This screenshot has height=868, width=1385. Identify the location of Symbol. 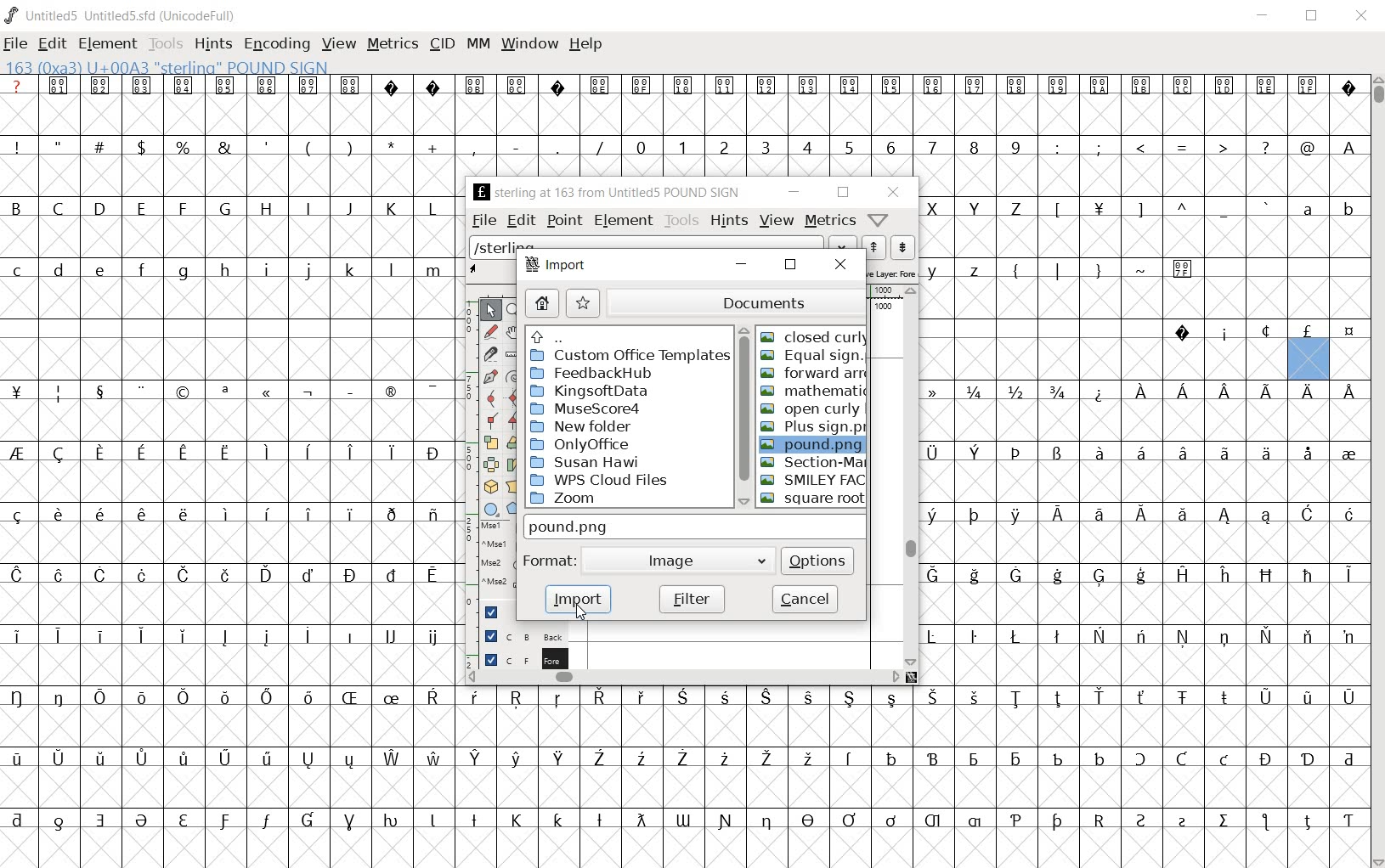
(768, 85).